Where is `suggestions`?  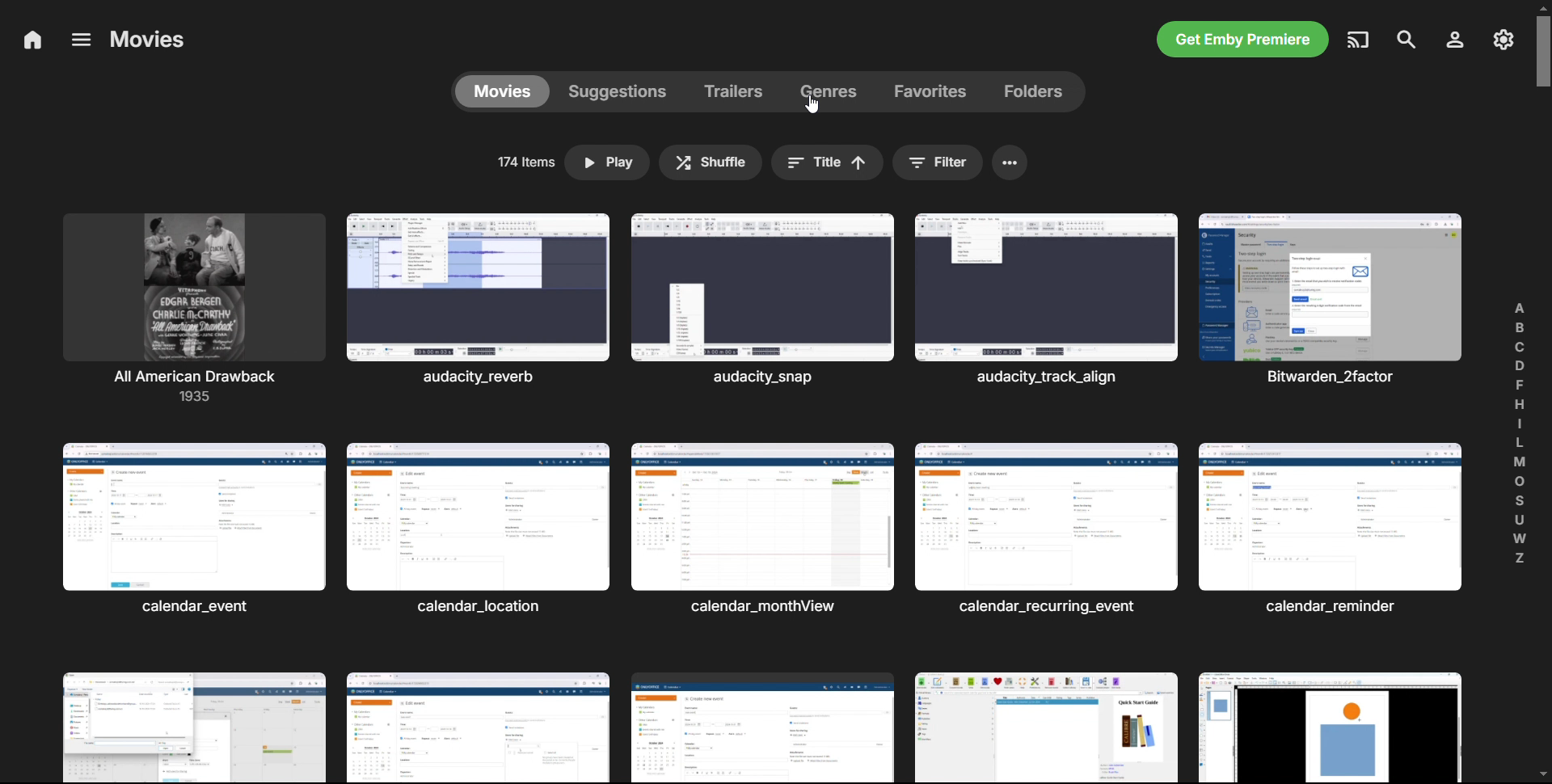 suggestions is located at coordinates (624, 91).